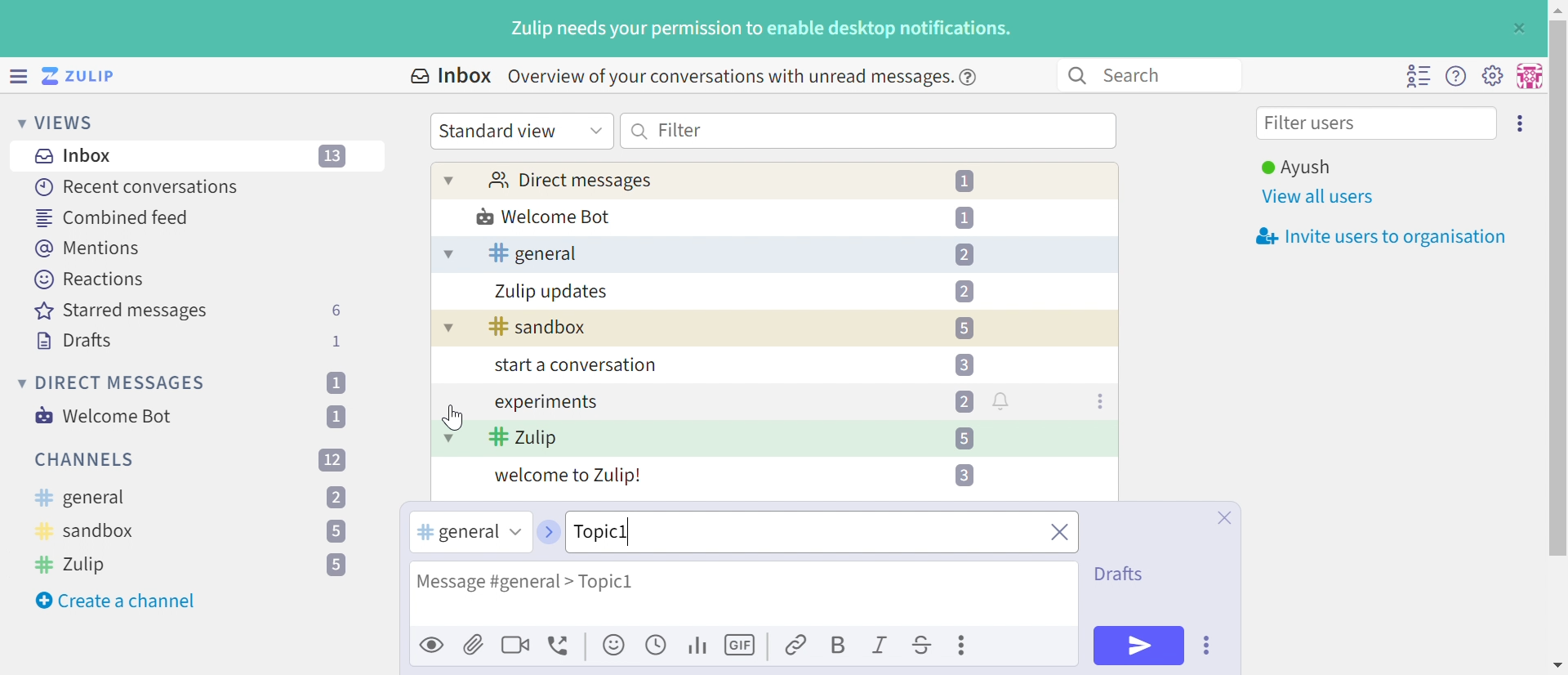 This screenshot has height=675, width=1568. What do you see at coordinates (1314, 125) in the screenshot?
I see `Filter users` at bounding box center [1314, 125].